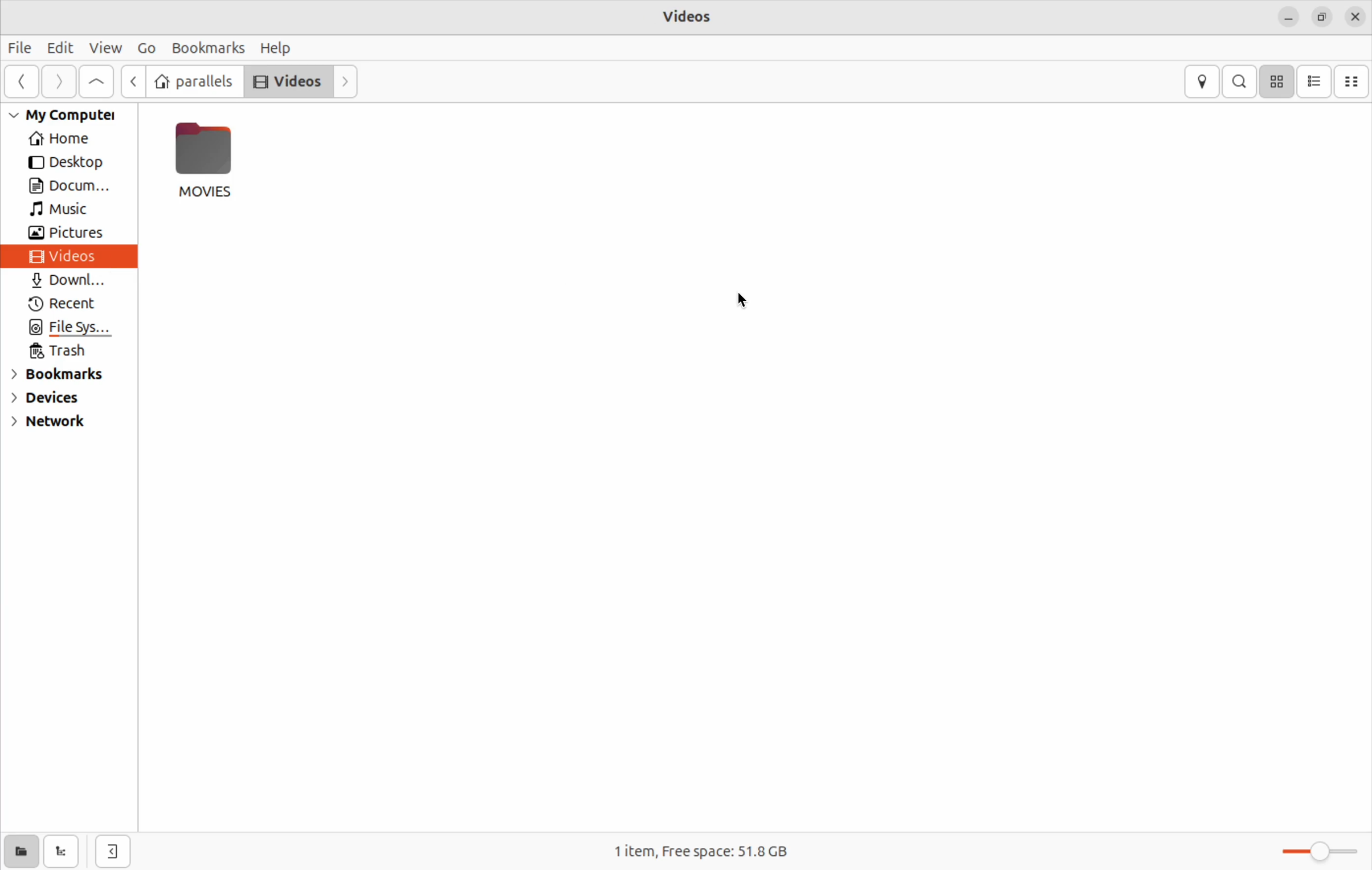 The image size is (1372, 870). I want to click on Videos, so click(69, 256).